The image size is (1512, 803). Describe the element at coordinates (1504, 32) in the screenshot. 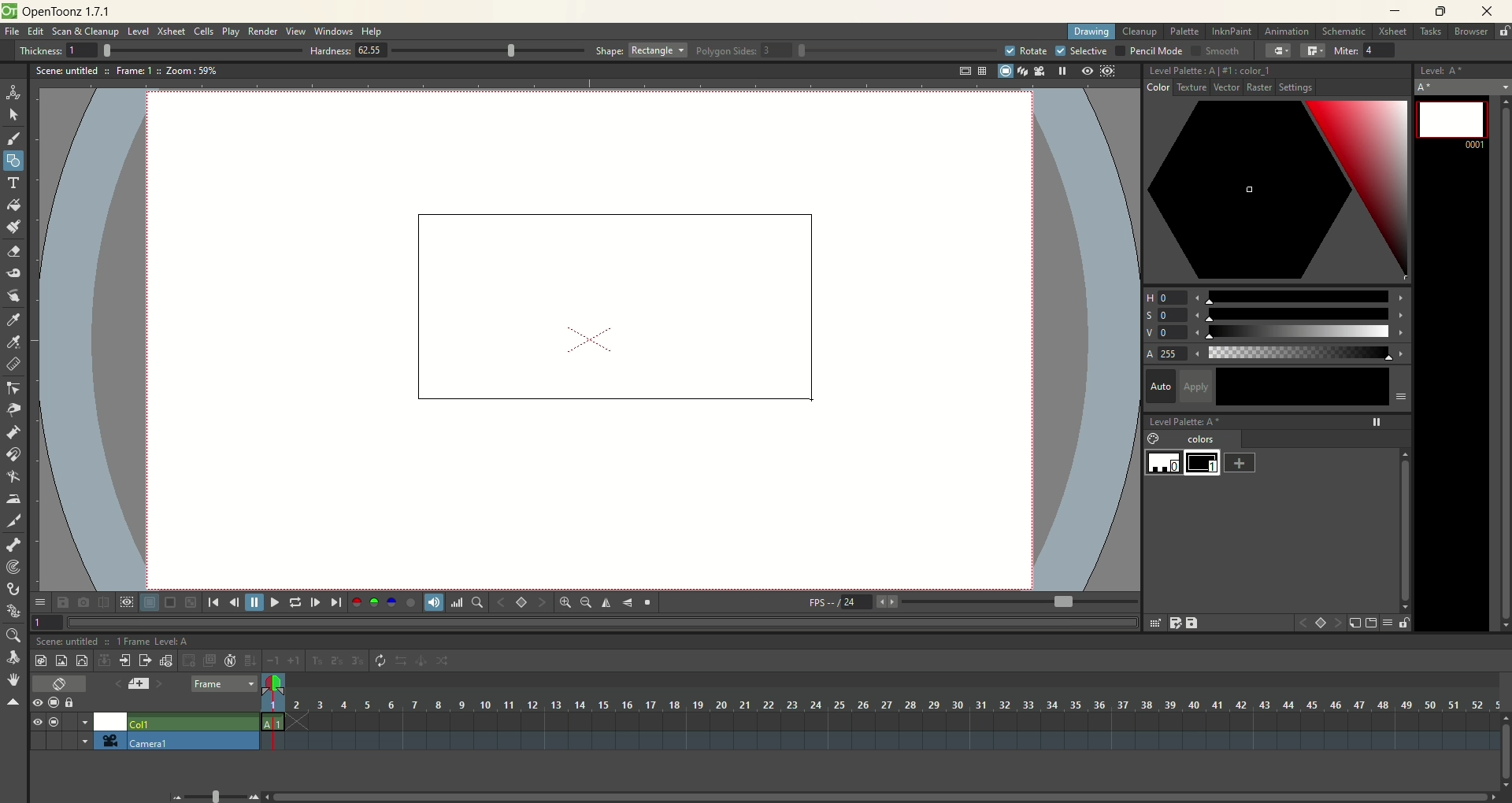

I see `unlock` at that location.